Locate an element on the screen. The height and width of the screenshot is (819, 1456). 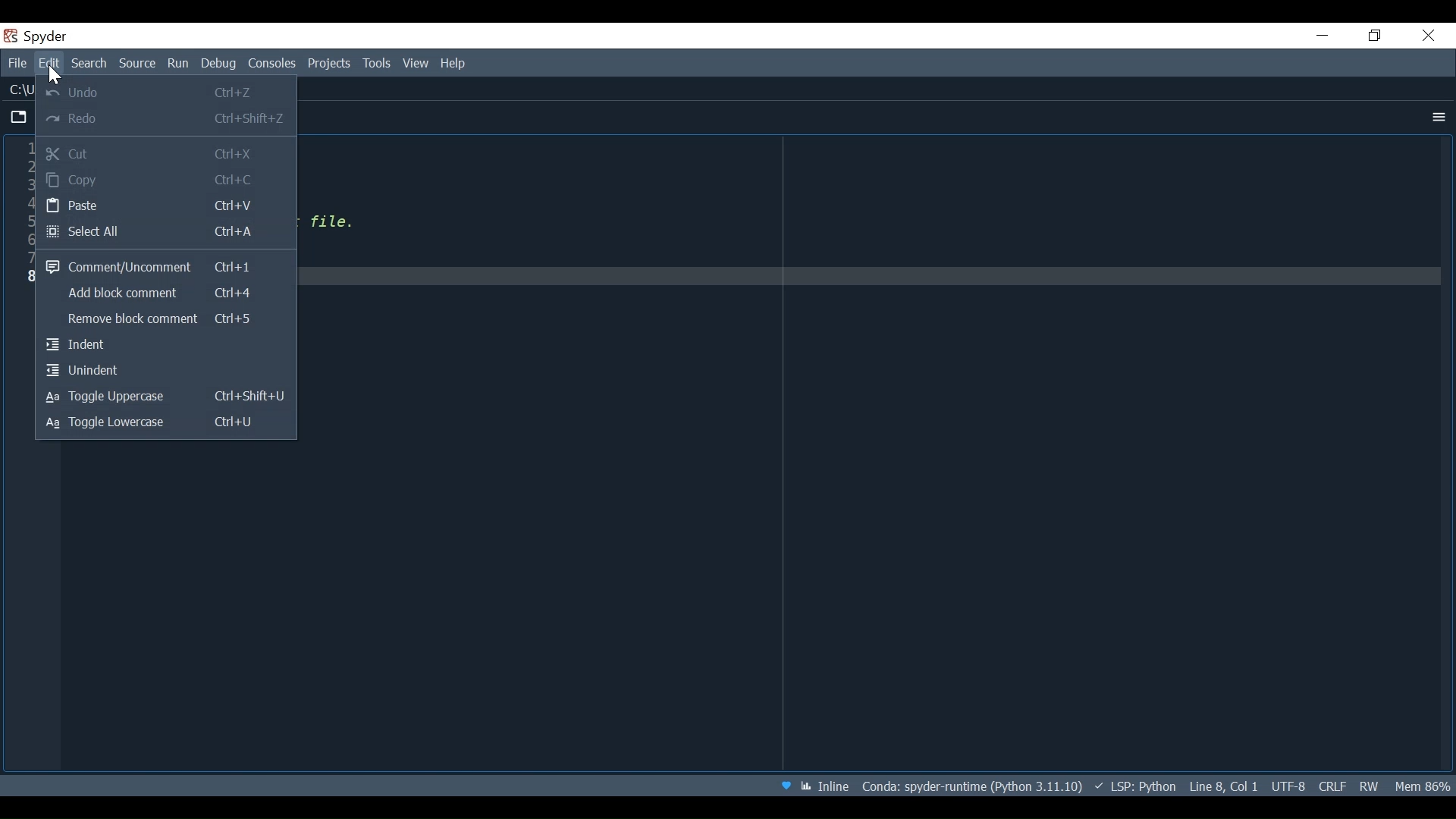
Ctrl+4 is located at coordinates (237, 292).